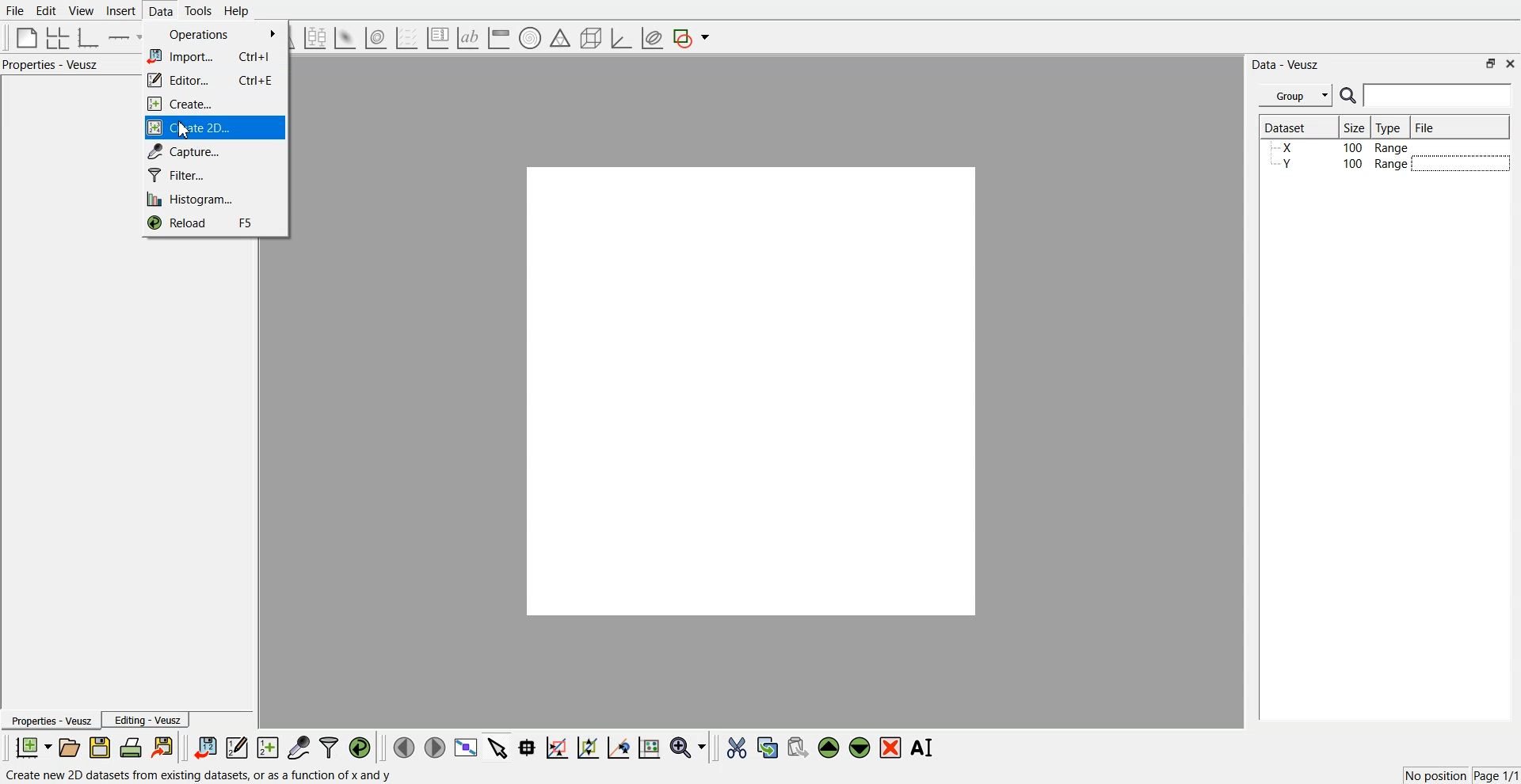  I want to click on Data, so click(162, 11).